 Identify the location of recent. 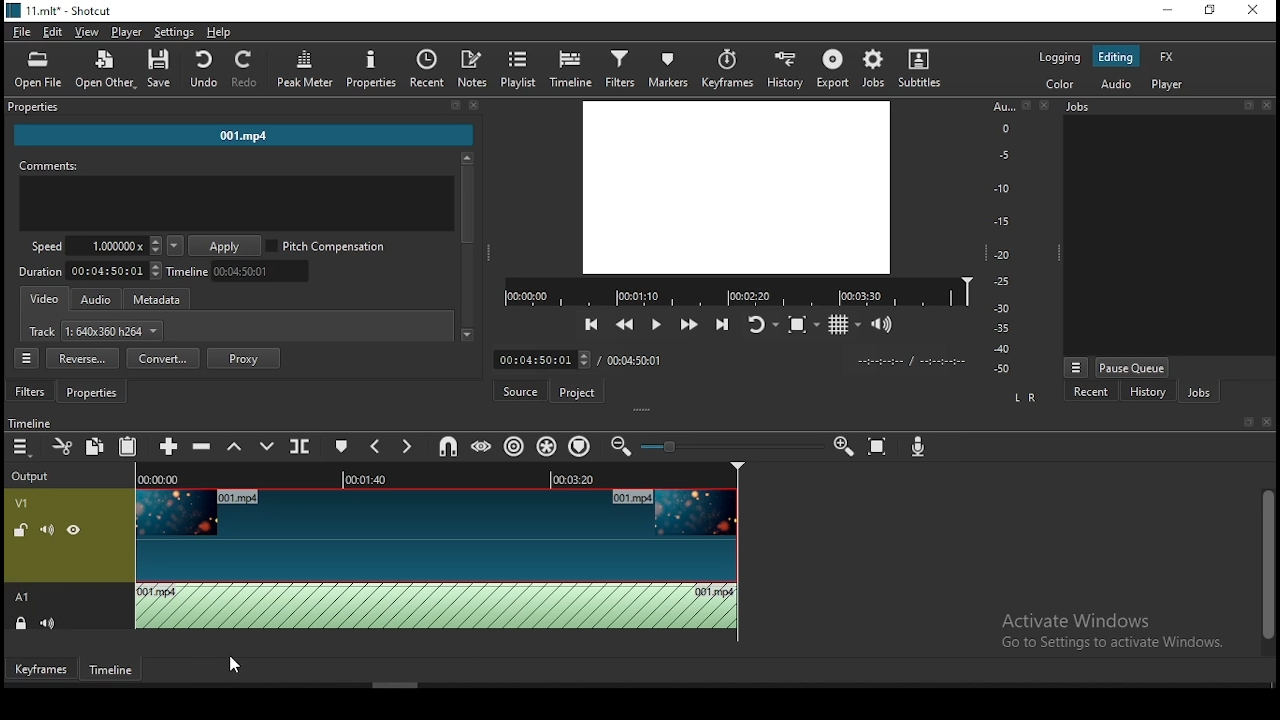
(426, 67).